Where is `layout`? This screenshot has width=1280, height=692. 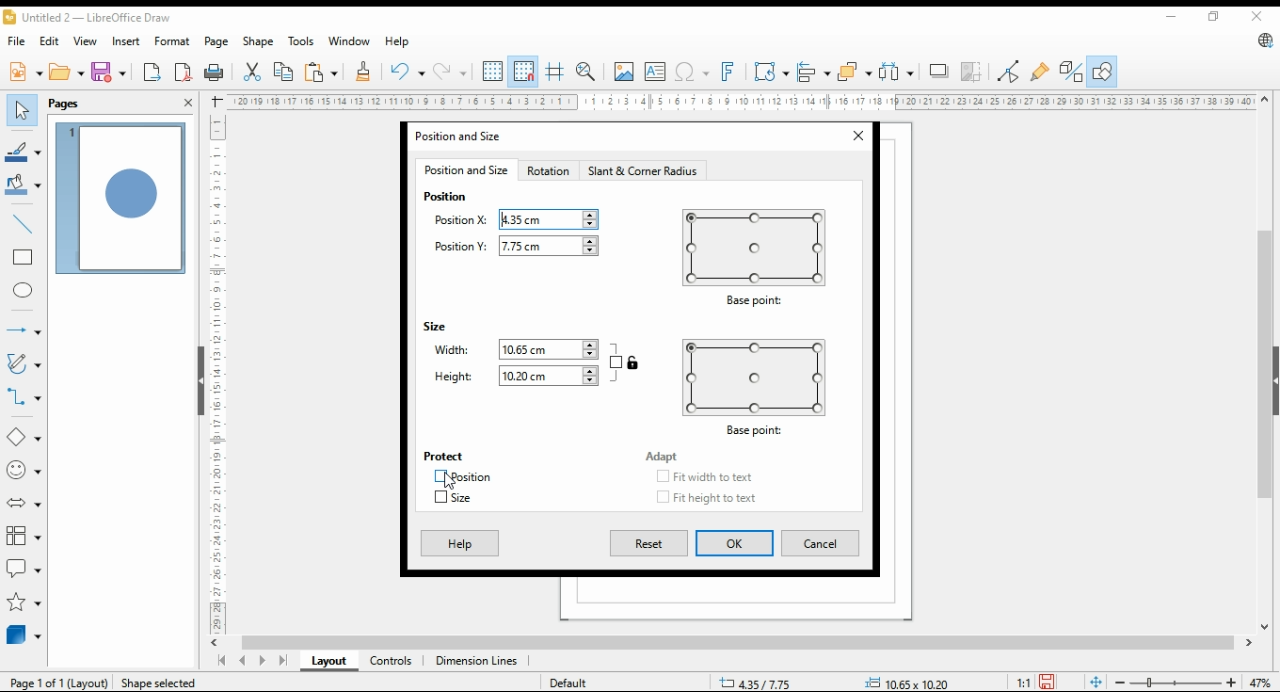 layout is located at coordinates (328, 661).